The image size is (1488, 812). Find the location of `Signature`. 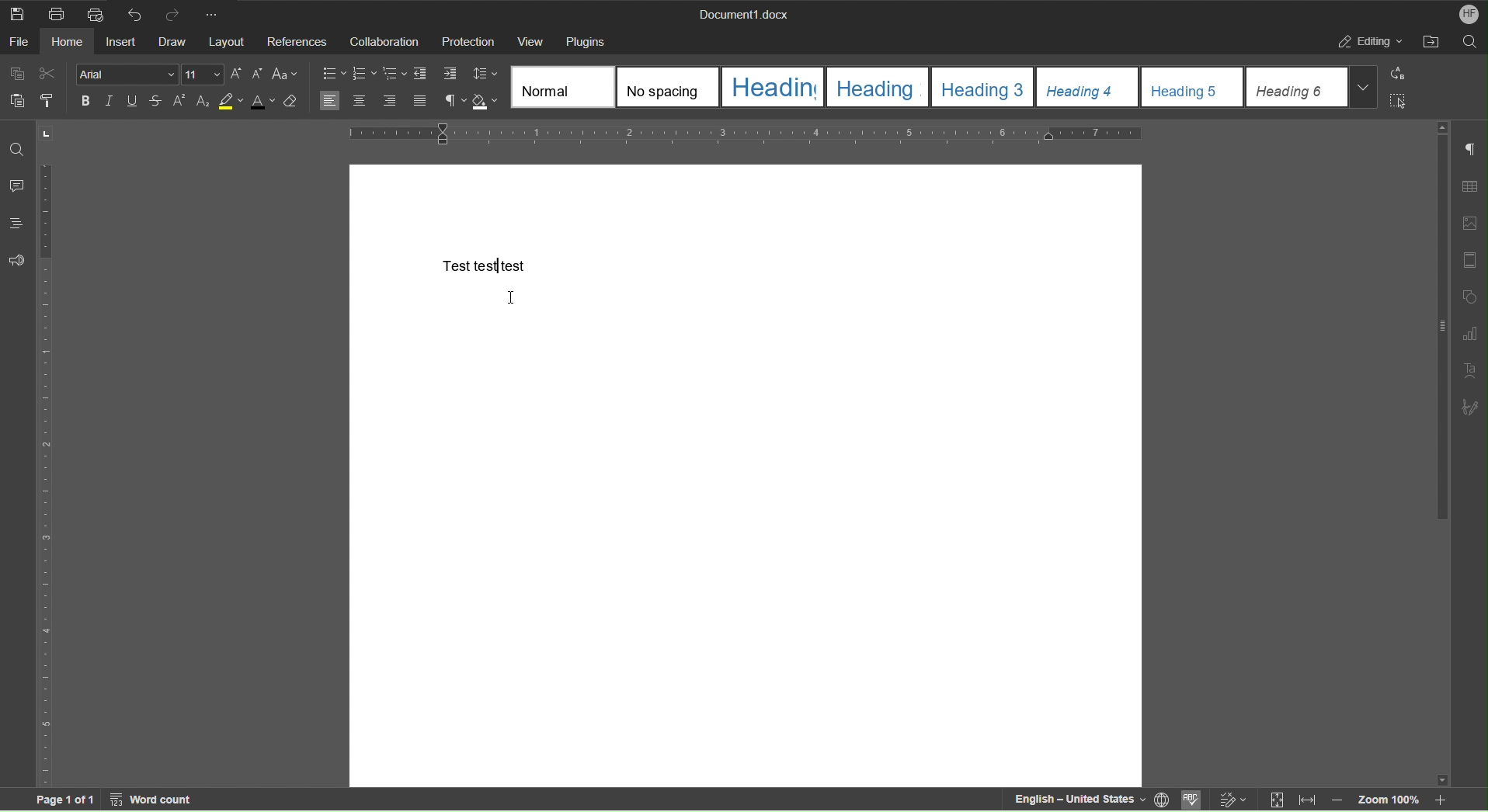

Signature is located at coordinates (1470, 406).